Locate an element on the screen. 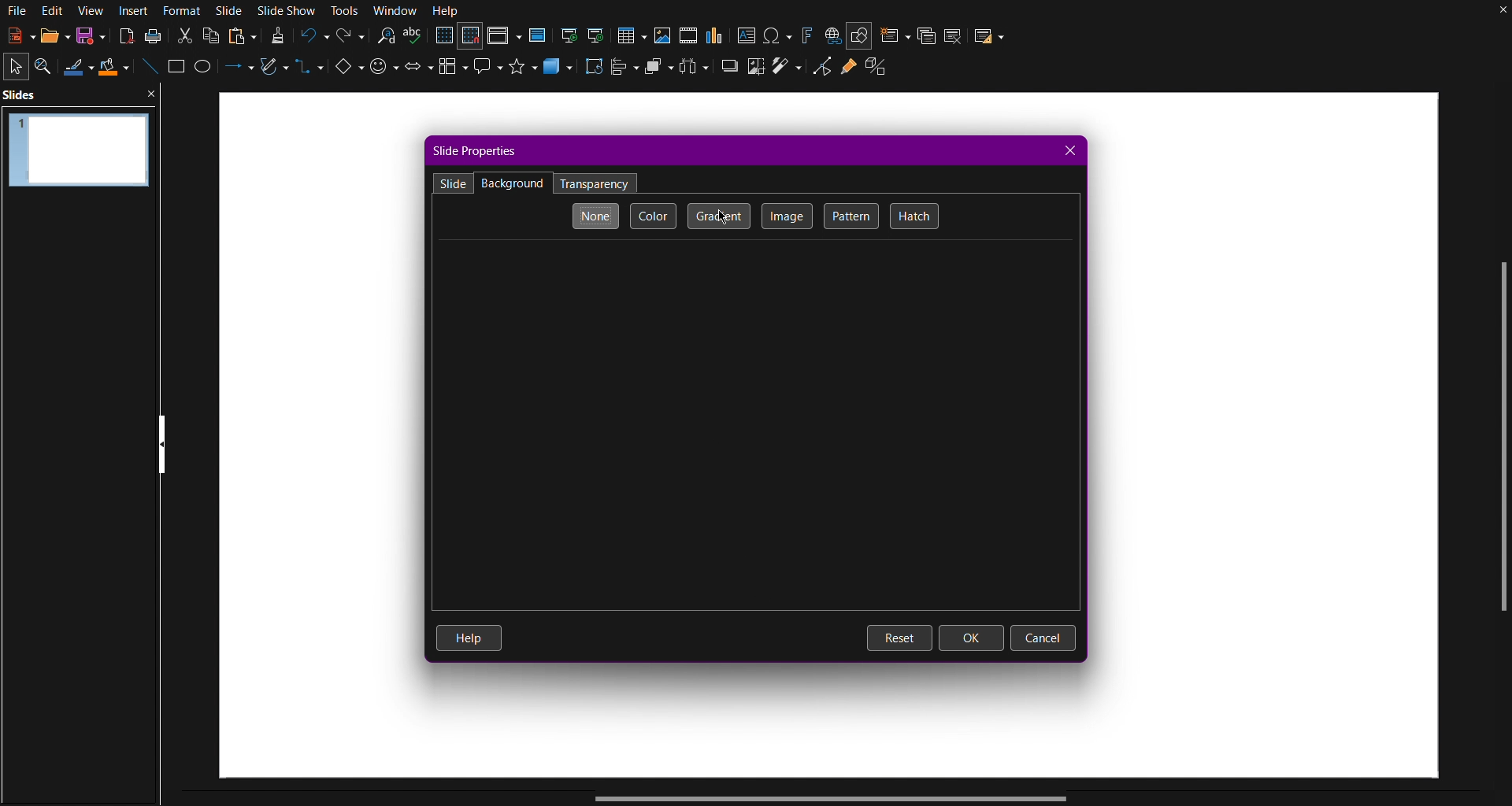 The width and height of the screenshot is (1512, 806). Slide Properties is located at coordinates (475, 150).